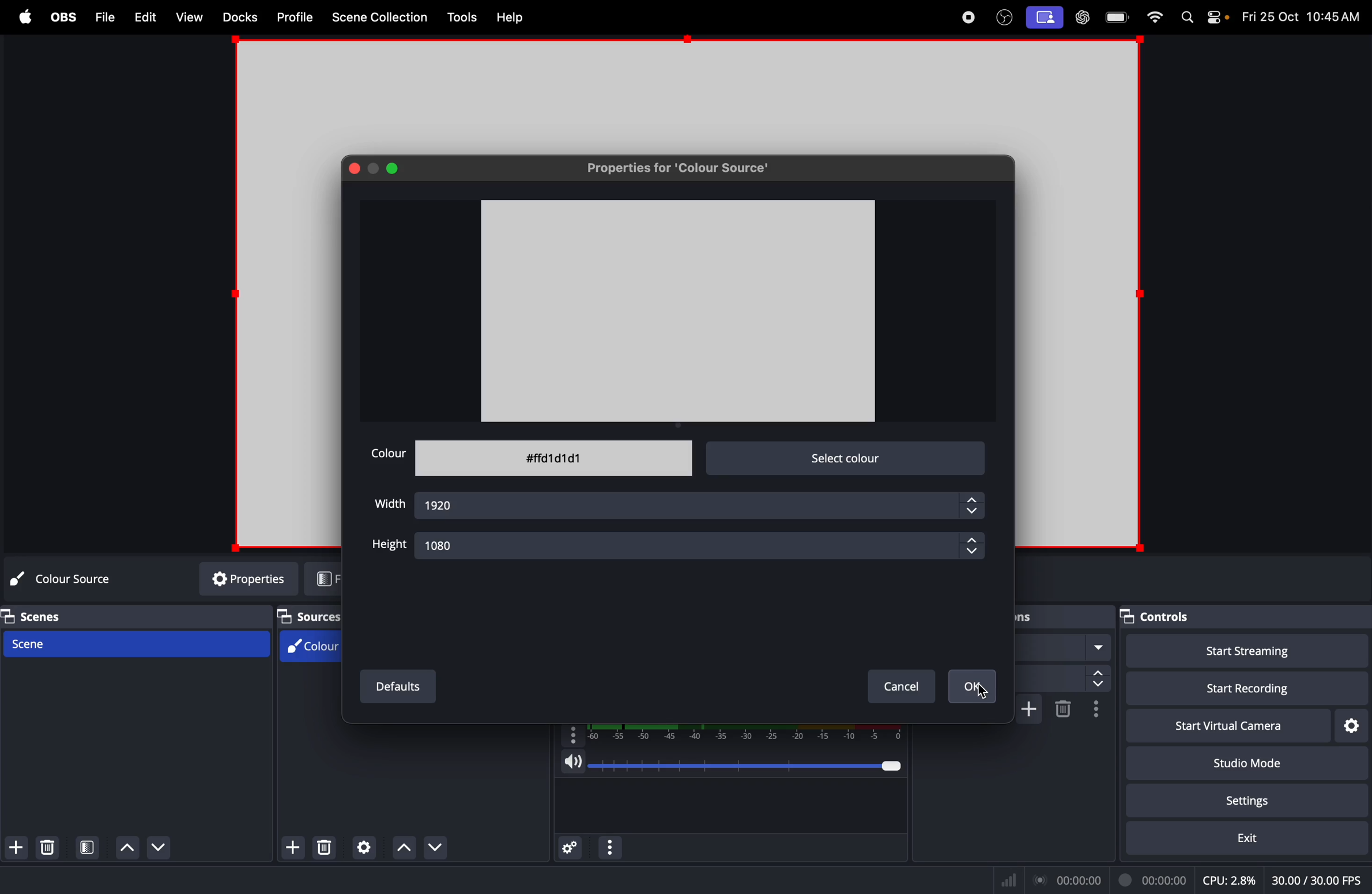 This screenshot has width=1372, height=894. What do you see at coordinates (1232, 878) in the screenshot?
I see `cpu usage` at bounding box center [1232, 878].